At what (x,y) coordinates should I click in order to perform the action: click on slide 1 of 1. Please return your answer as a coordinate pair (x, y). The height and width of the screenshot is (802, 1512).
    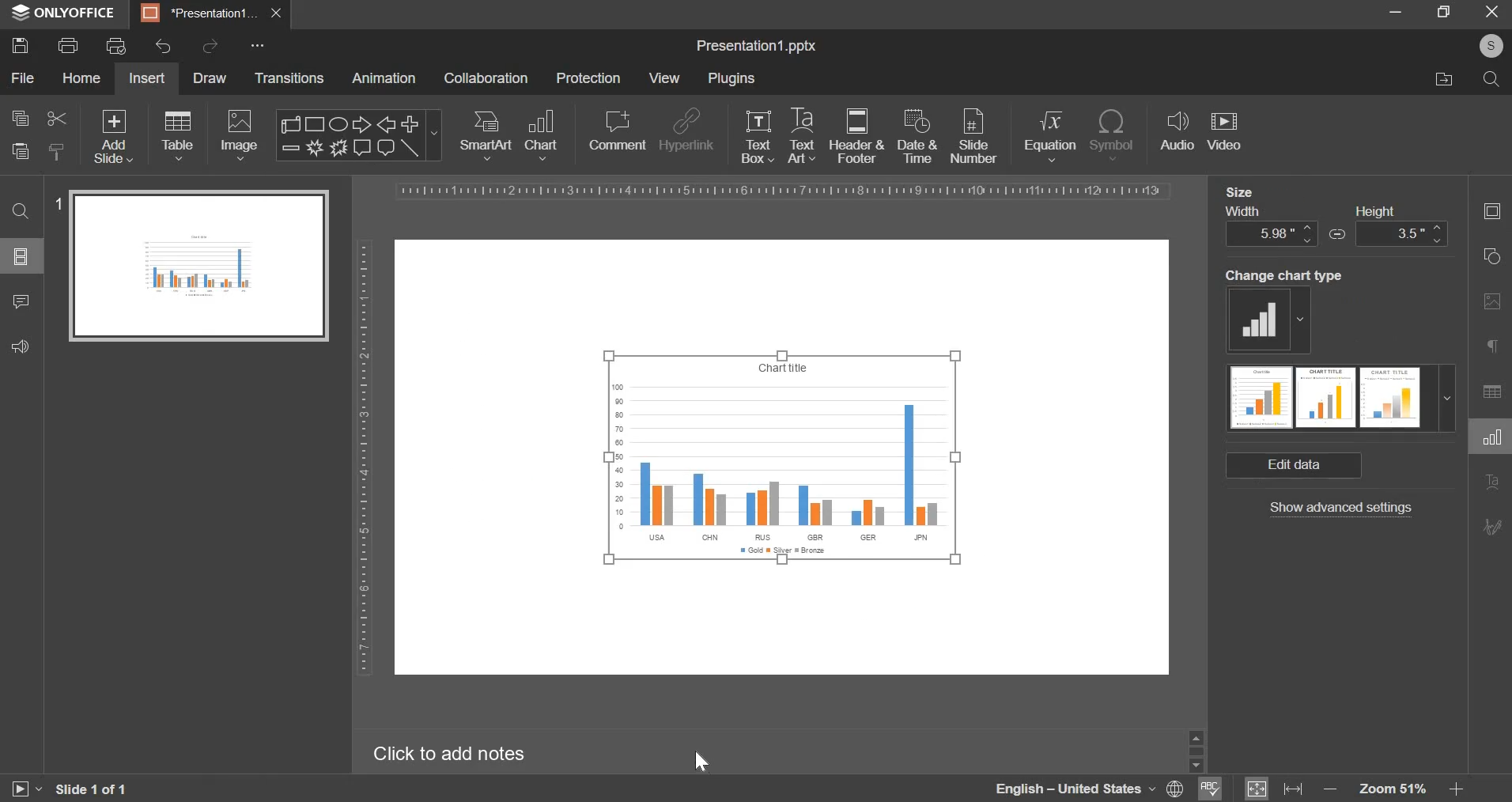
    Looking at the image, I should click on (90, 791).